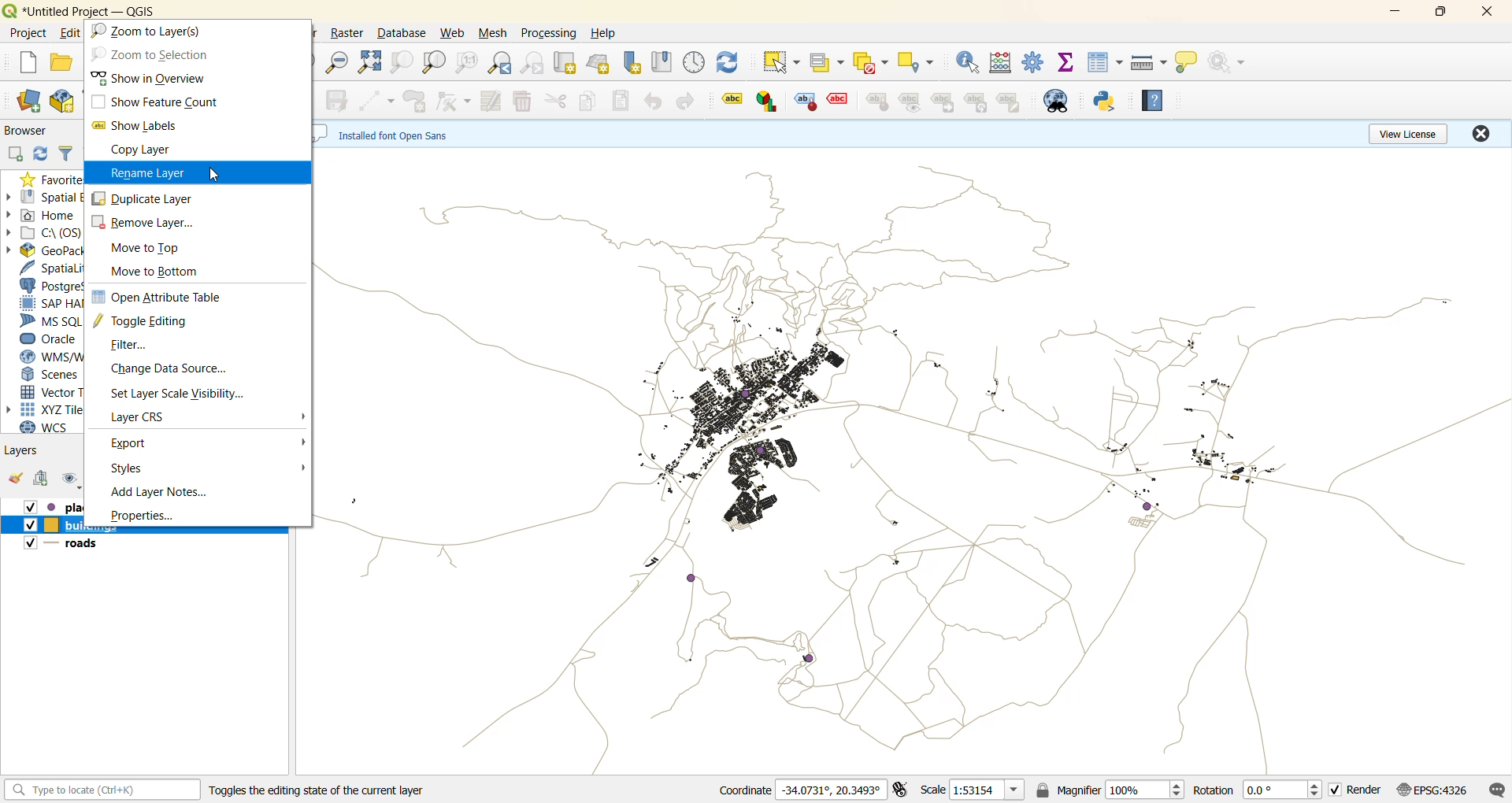 The height and width of the screenshot is (803, 1512). Describe the element at coordinates (838, 103) in the screenshot. I see `effect` at that location.